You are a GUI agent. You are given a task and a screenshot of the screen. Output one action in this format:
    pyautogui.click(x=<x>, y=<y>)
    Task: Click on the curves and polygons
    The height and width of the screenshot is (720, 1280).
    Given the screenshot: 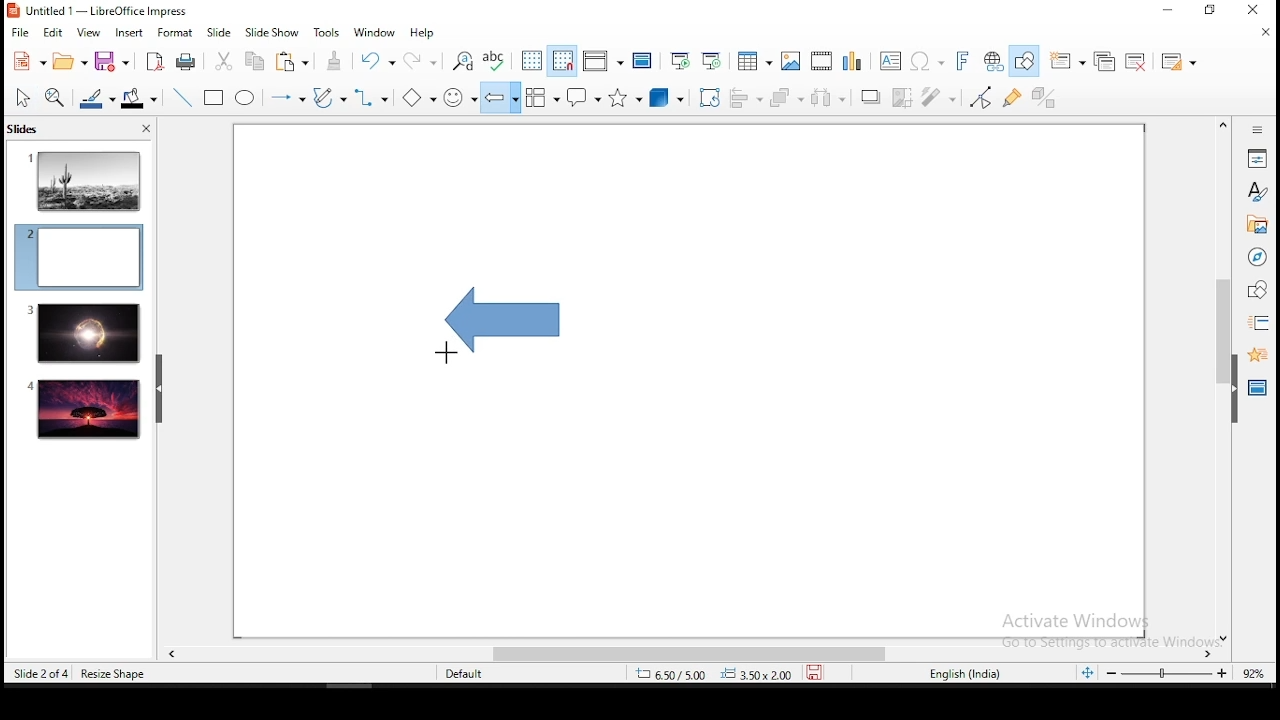 What is the action you would take?
    pyautogui.click(x=328, y=98)
    